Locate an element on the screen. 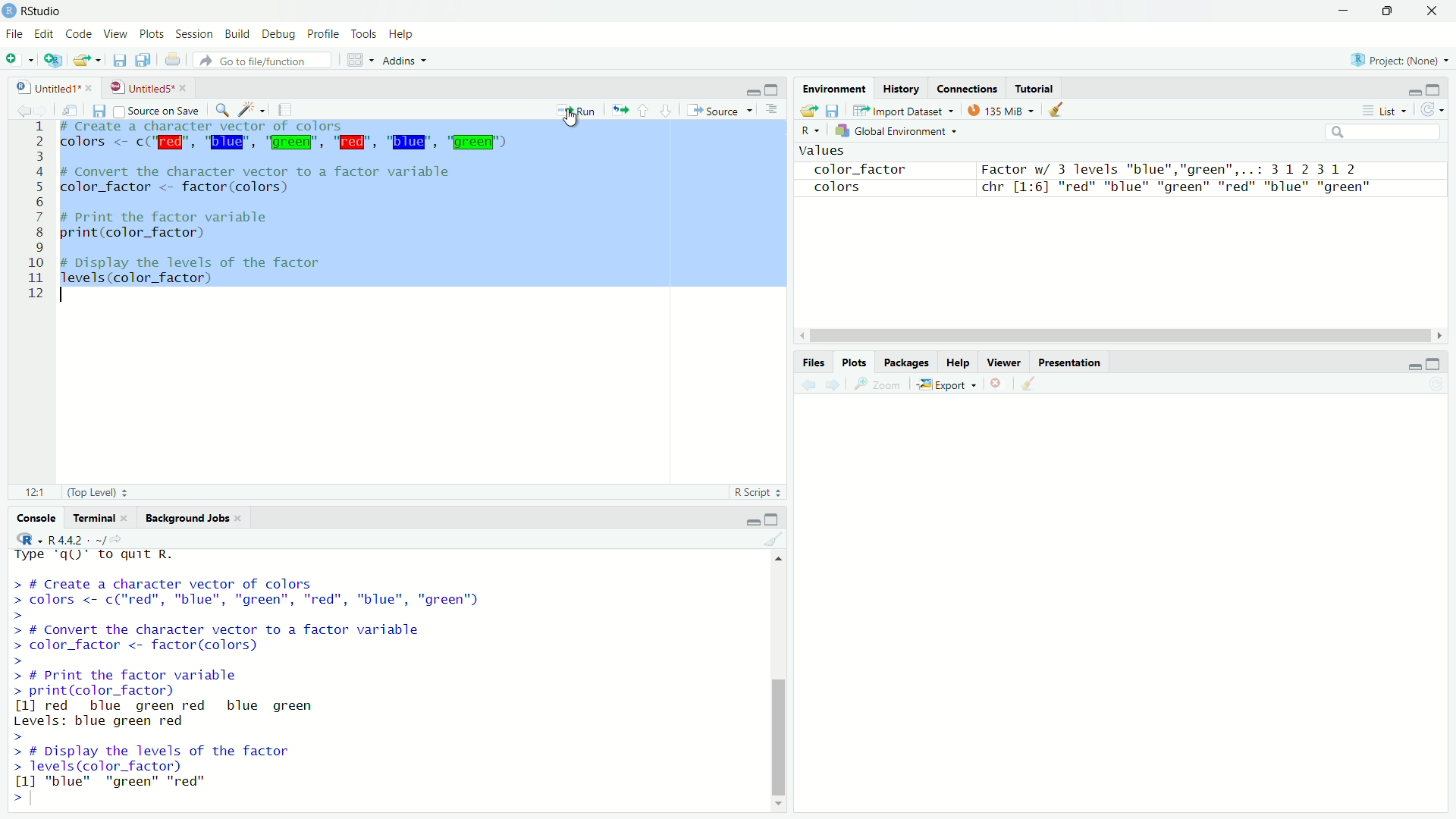 Image resolution: width=1456 pixels, height=819 pixels. create a project is located at coordinates (57, 60).